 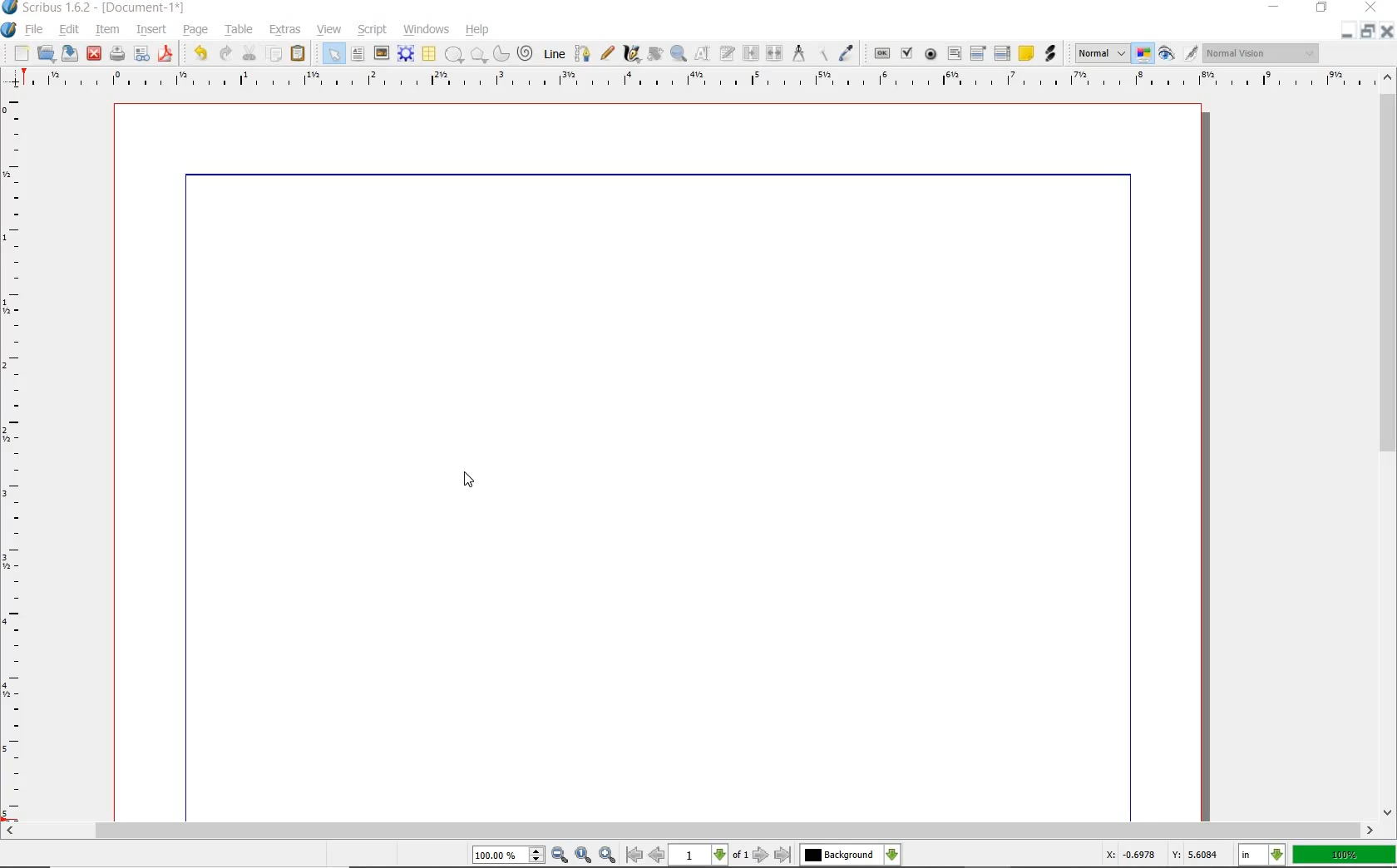 I want to click on REDO, so click(x=225, y=52).